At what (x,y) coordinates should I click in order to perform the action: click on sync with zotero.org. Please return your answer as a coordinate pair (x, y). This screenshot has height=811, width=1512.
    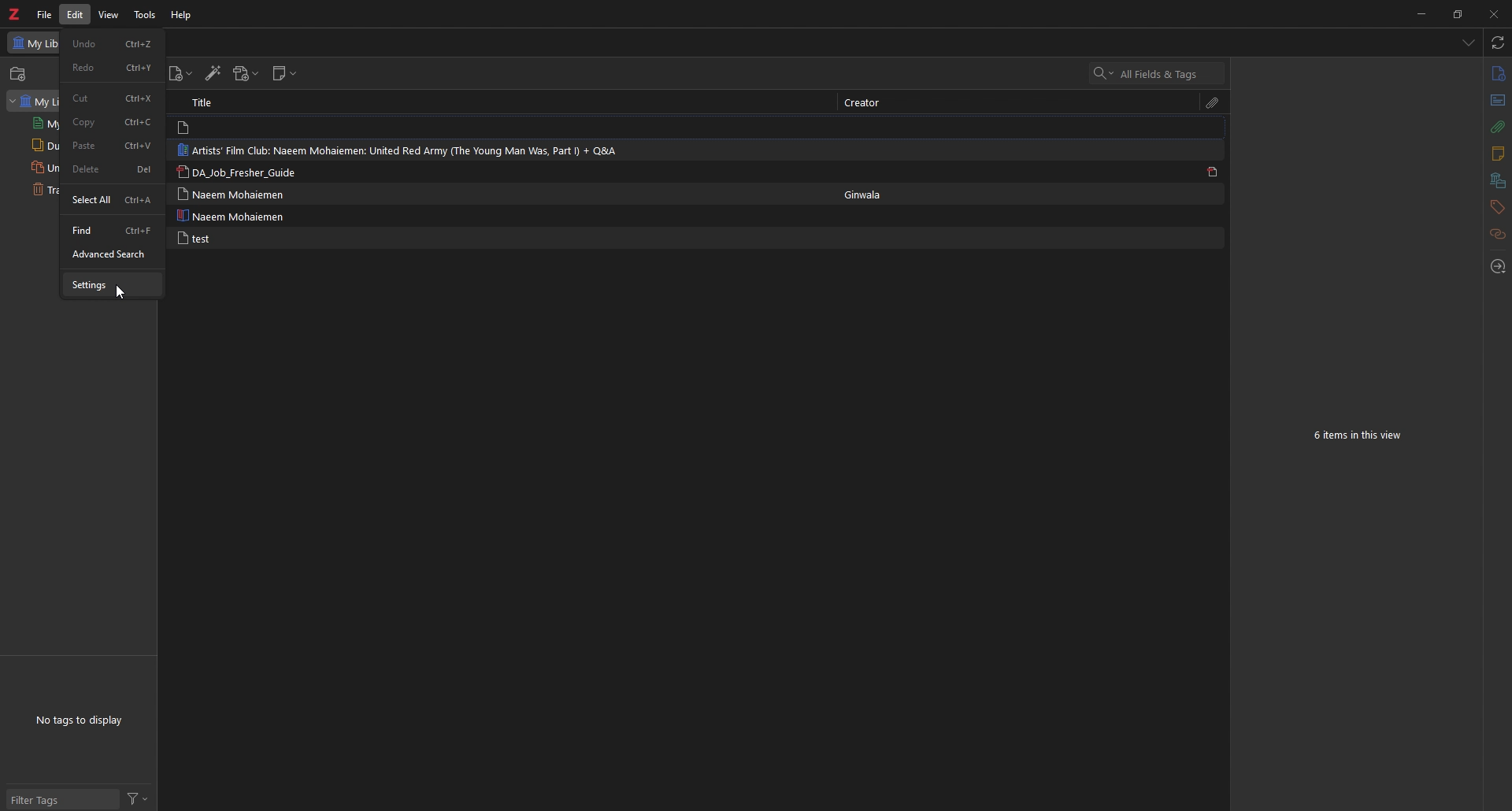
    Looking at the image, I should click on (1499, 43).